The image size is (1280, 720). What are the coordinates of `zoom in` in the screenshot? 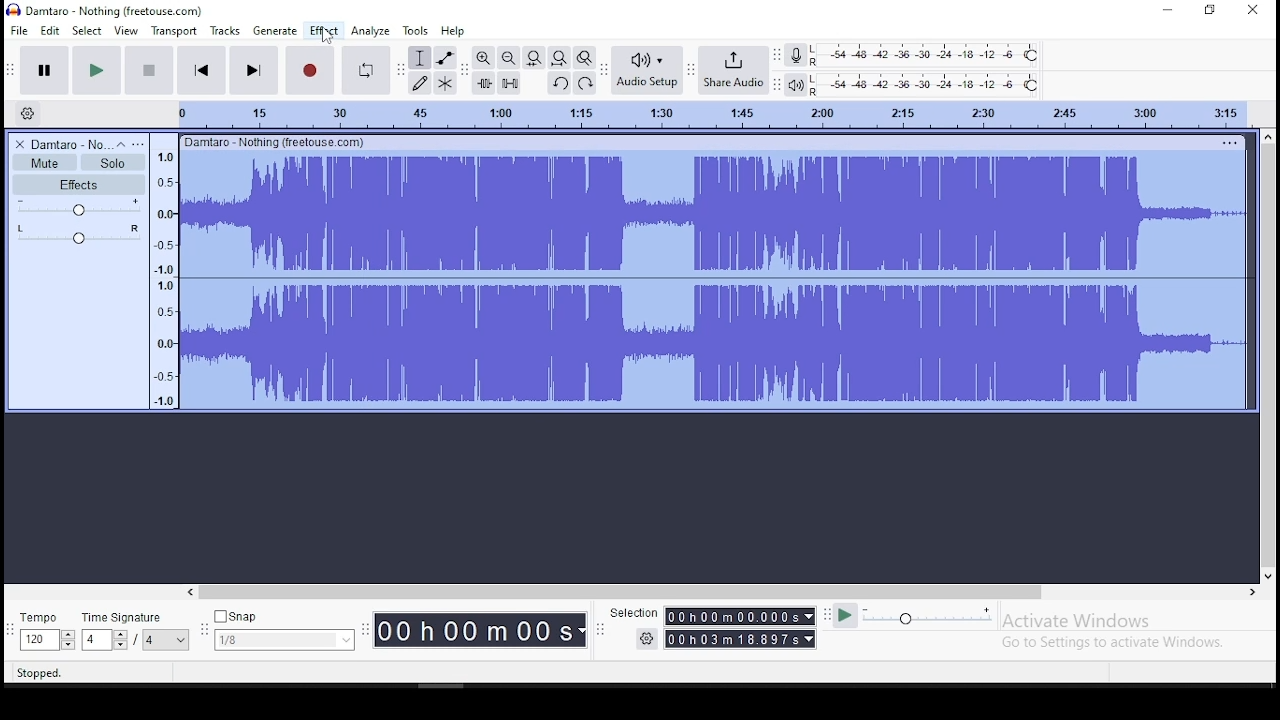 It's located at (485, 58).